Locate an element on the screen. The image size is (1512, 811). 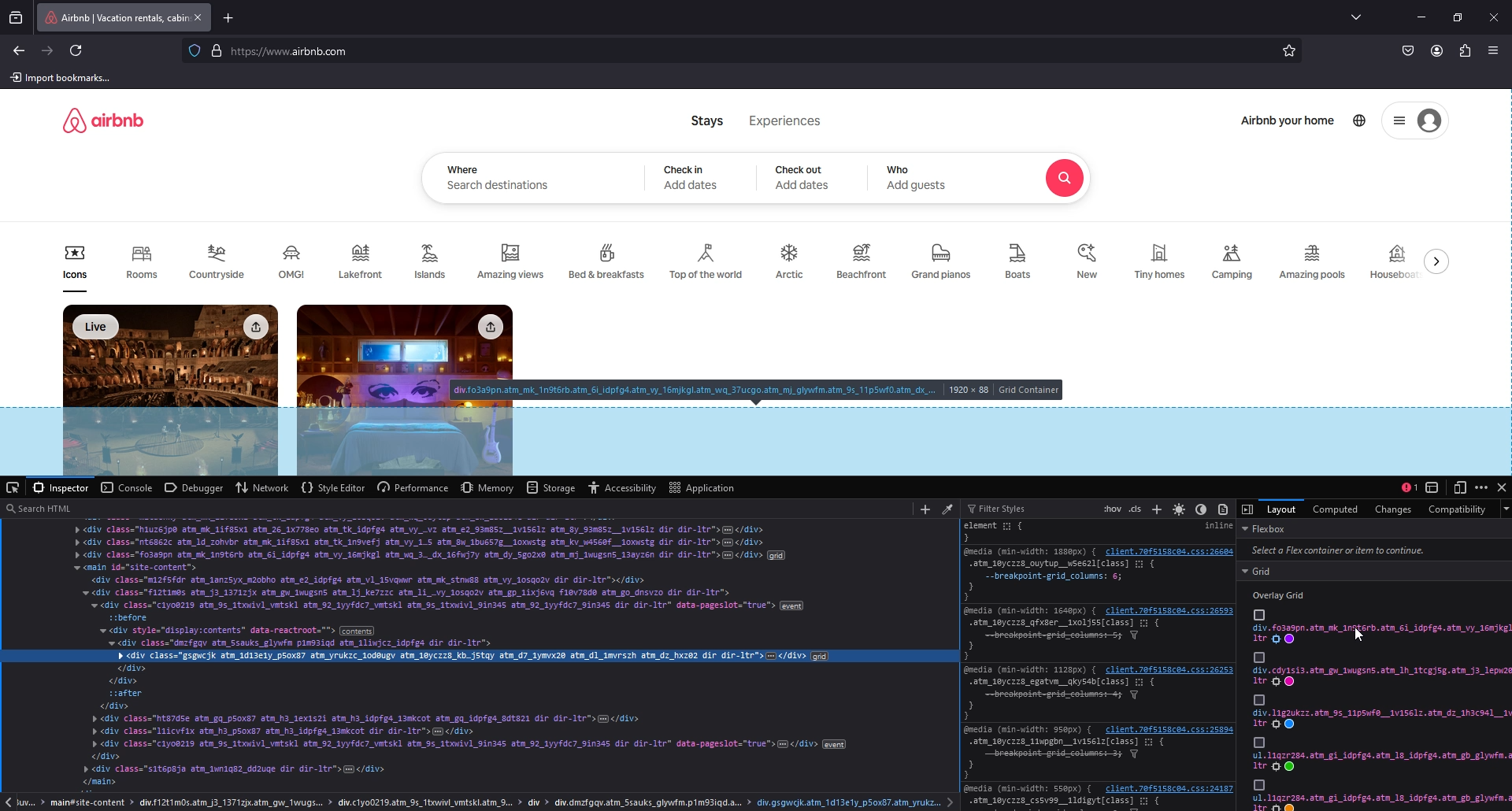
elements is located at coordinates (1065, 699).